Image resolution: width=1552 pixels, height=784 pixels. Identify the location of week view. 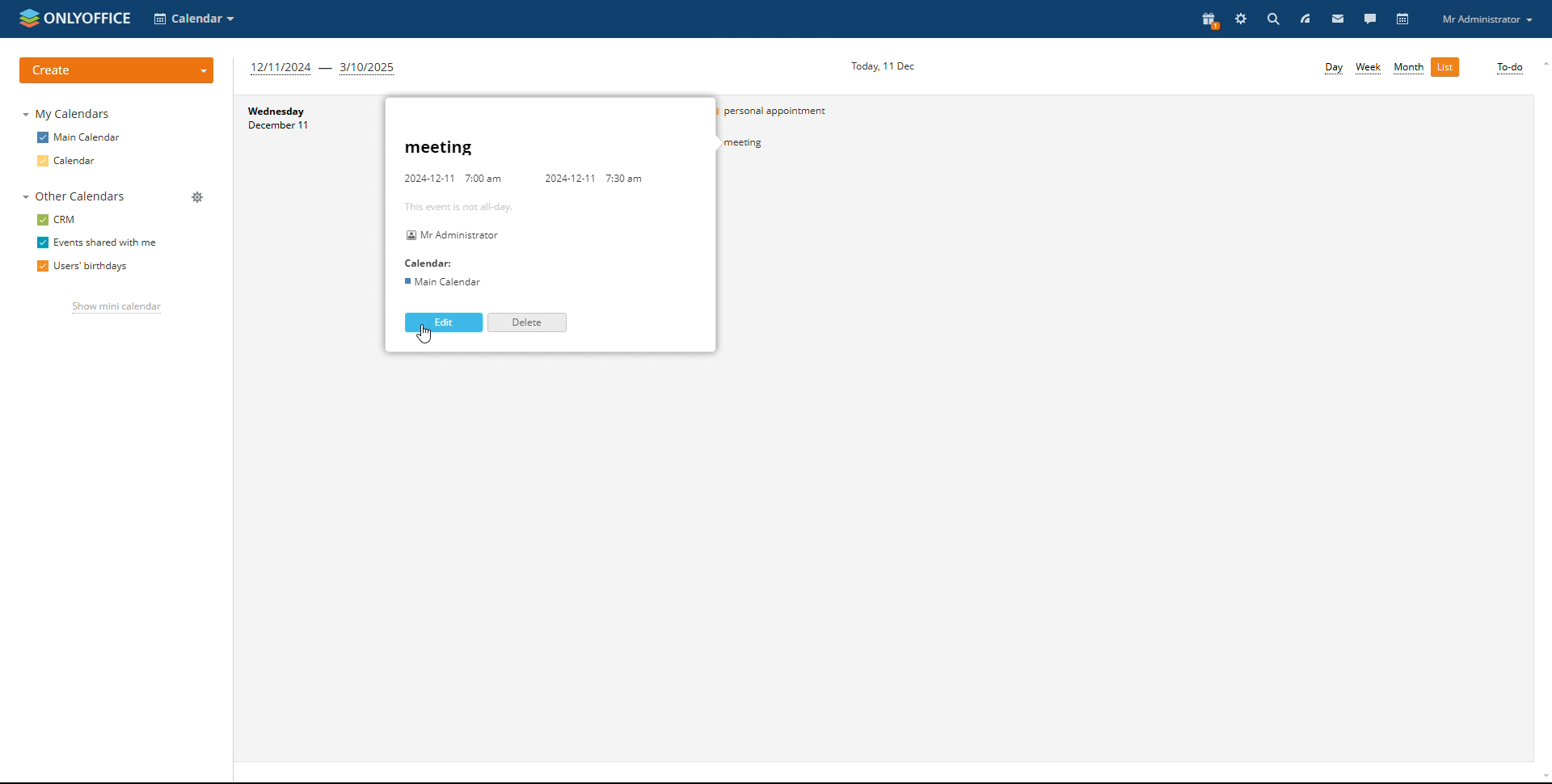
(1369, 68).